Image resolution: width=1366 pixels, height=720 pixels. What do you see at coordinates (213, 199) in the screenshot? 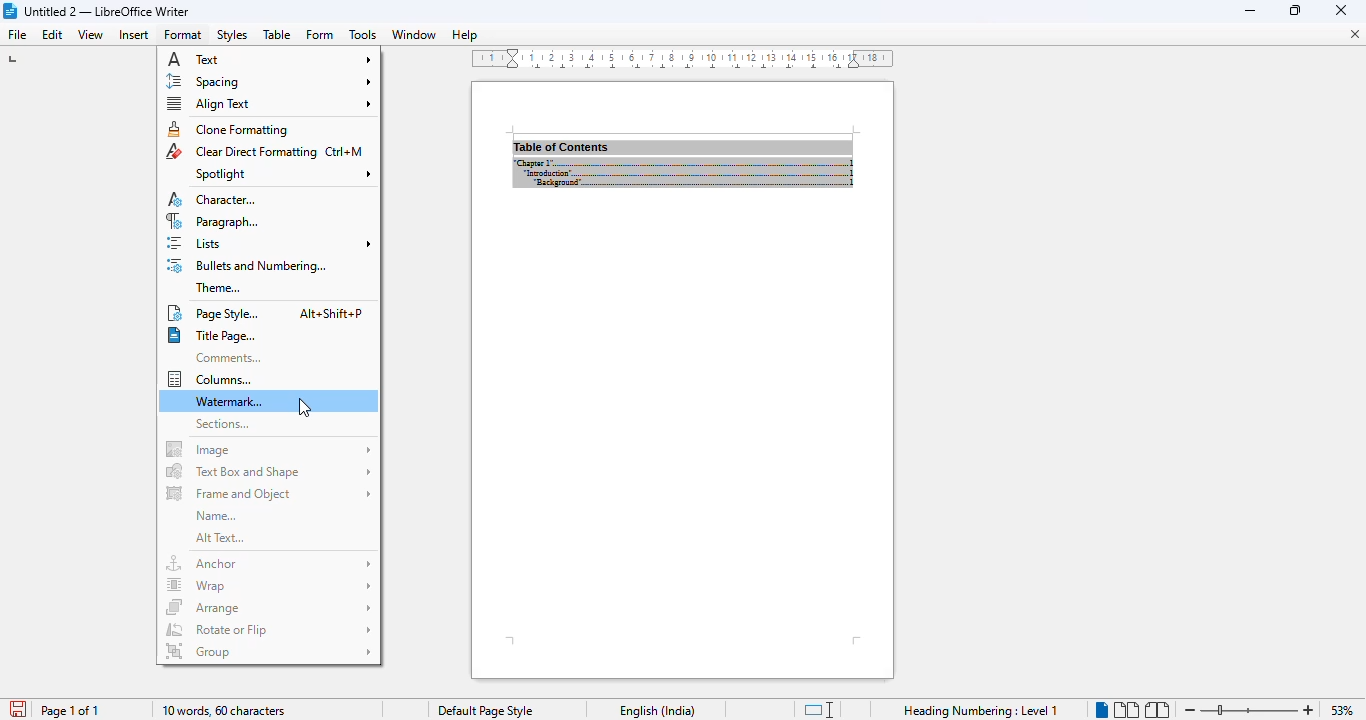
I see `character` at bounding box center [213, 199].